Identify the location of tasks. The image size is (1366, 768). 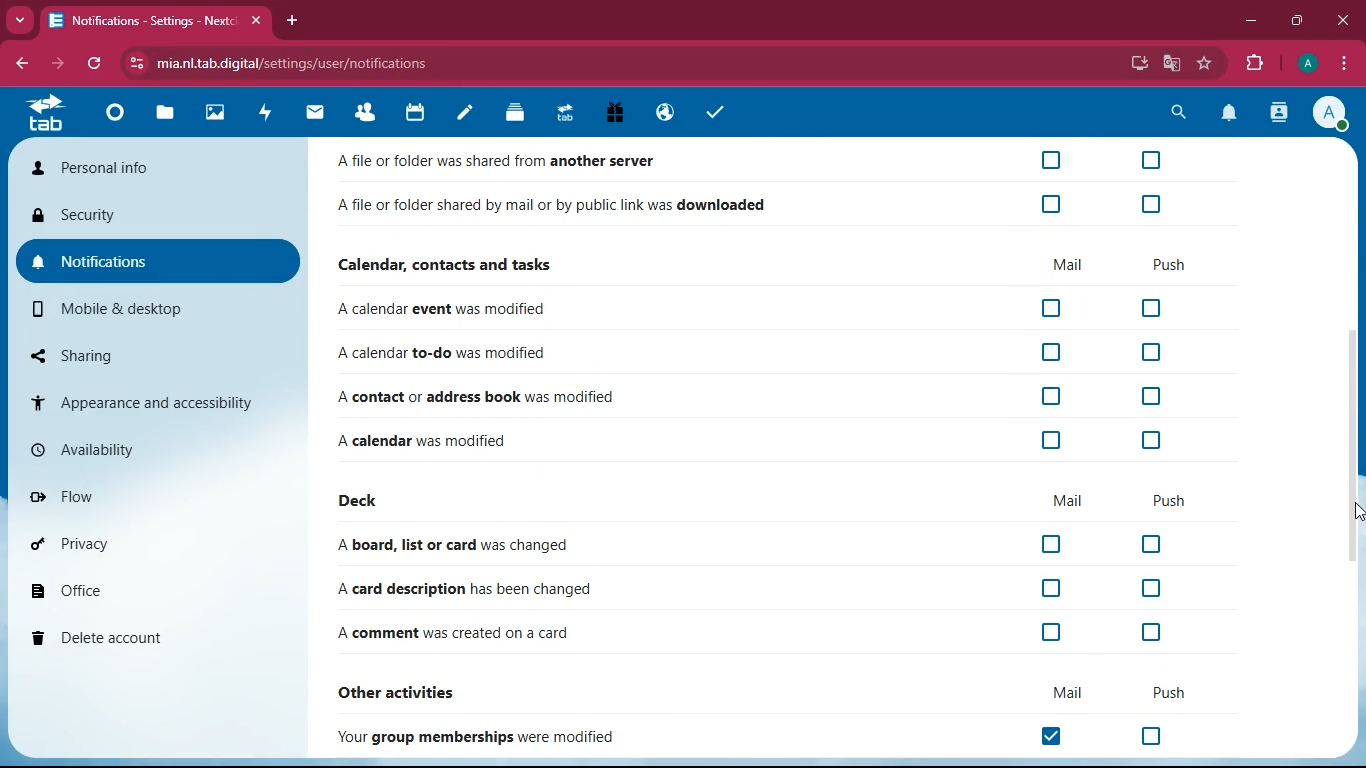
(712, 112).